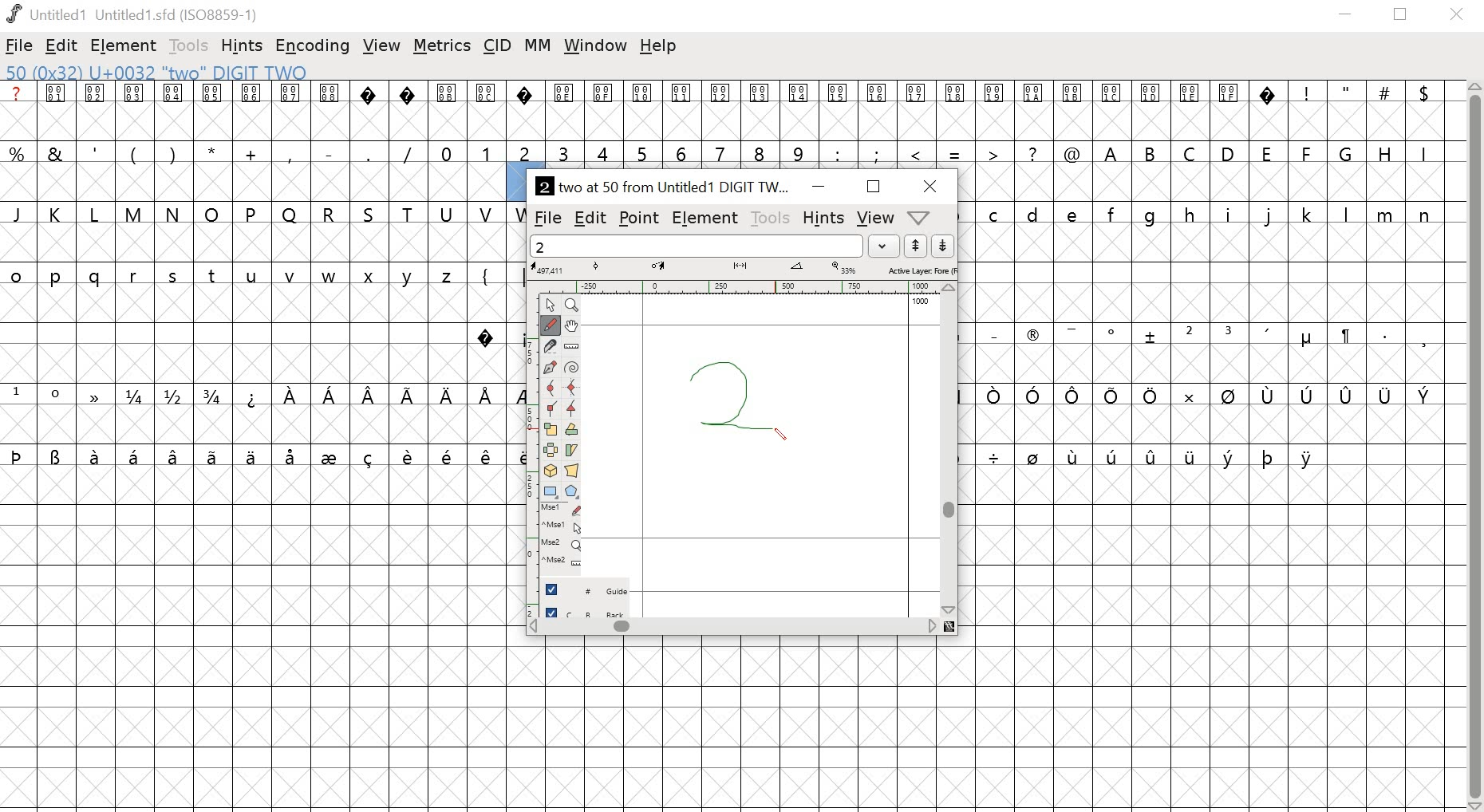  I want to click on close, so click(930, 186).